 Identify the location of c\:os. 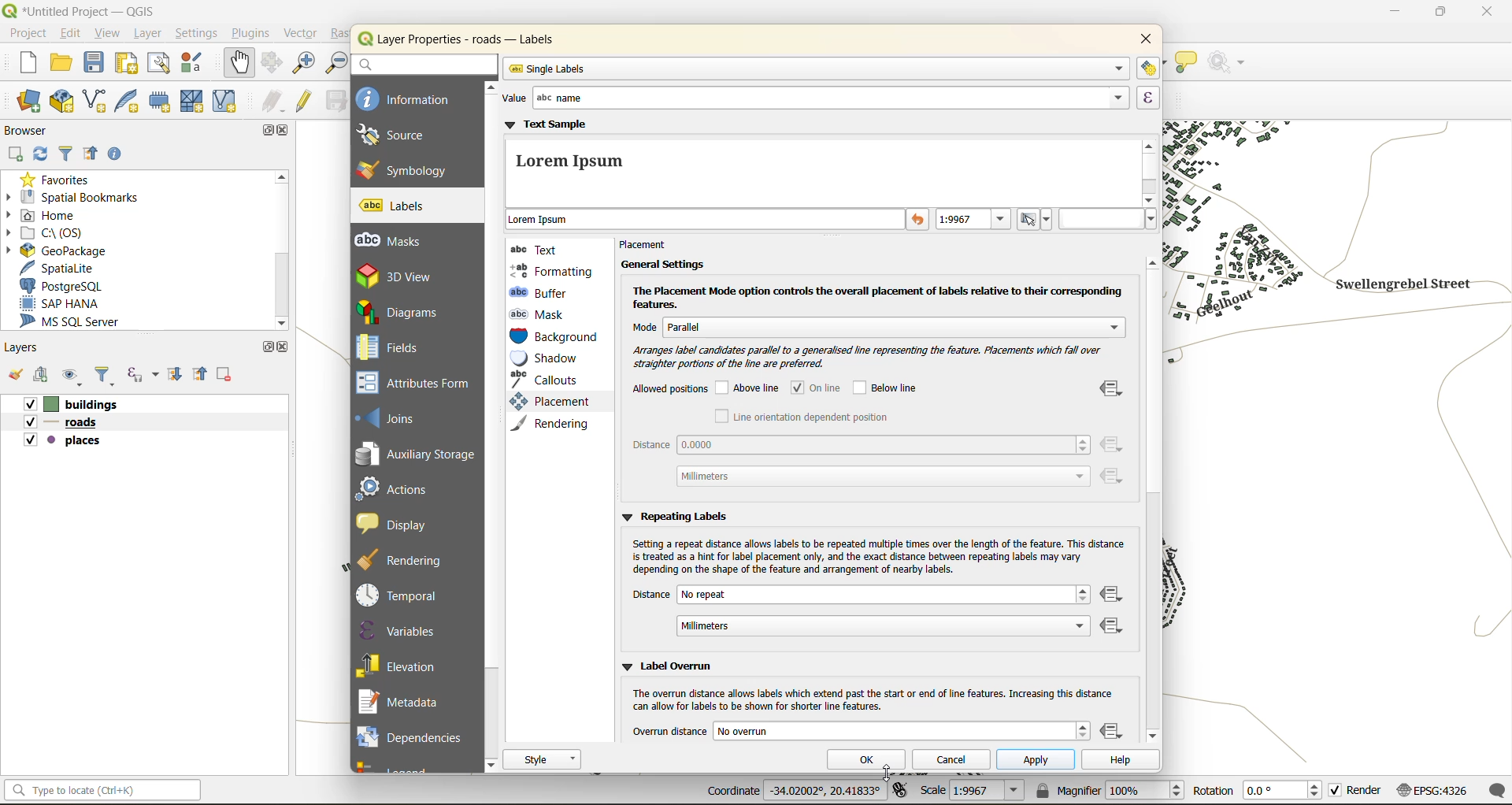
(57, 234).